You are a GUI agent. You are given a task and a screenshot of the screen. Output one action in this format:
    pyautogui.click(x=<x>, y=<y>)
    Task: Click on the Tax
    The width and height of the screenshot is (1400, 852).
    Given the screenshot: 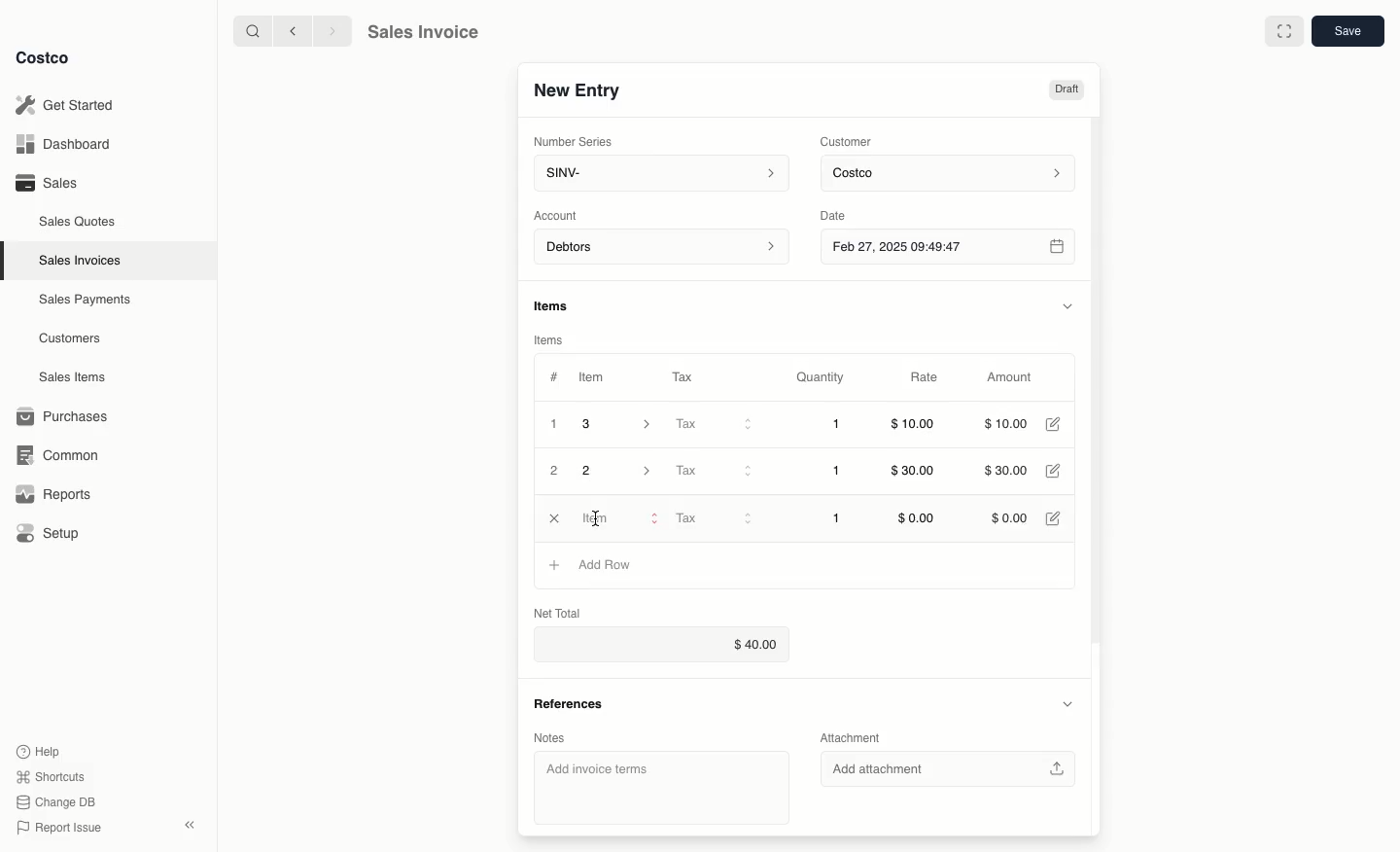 What is the action you would take?
    pyautogui.click(x=687, y=376)
    